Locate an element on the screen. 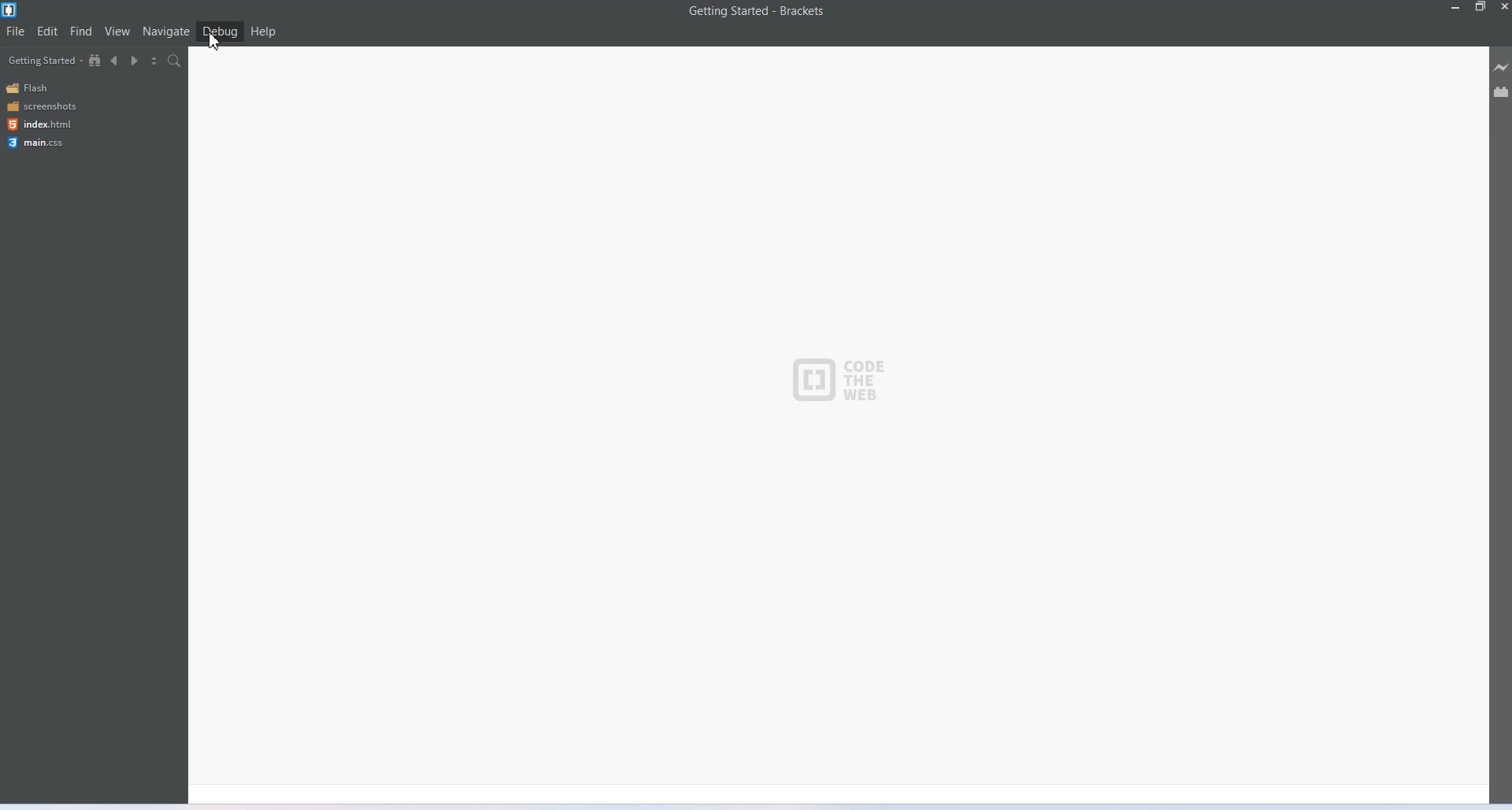  maximize is located at coordinates (1480, 8).